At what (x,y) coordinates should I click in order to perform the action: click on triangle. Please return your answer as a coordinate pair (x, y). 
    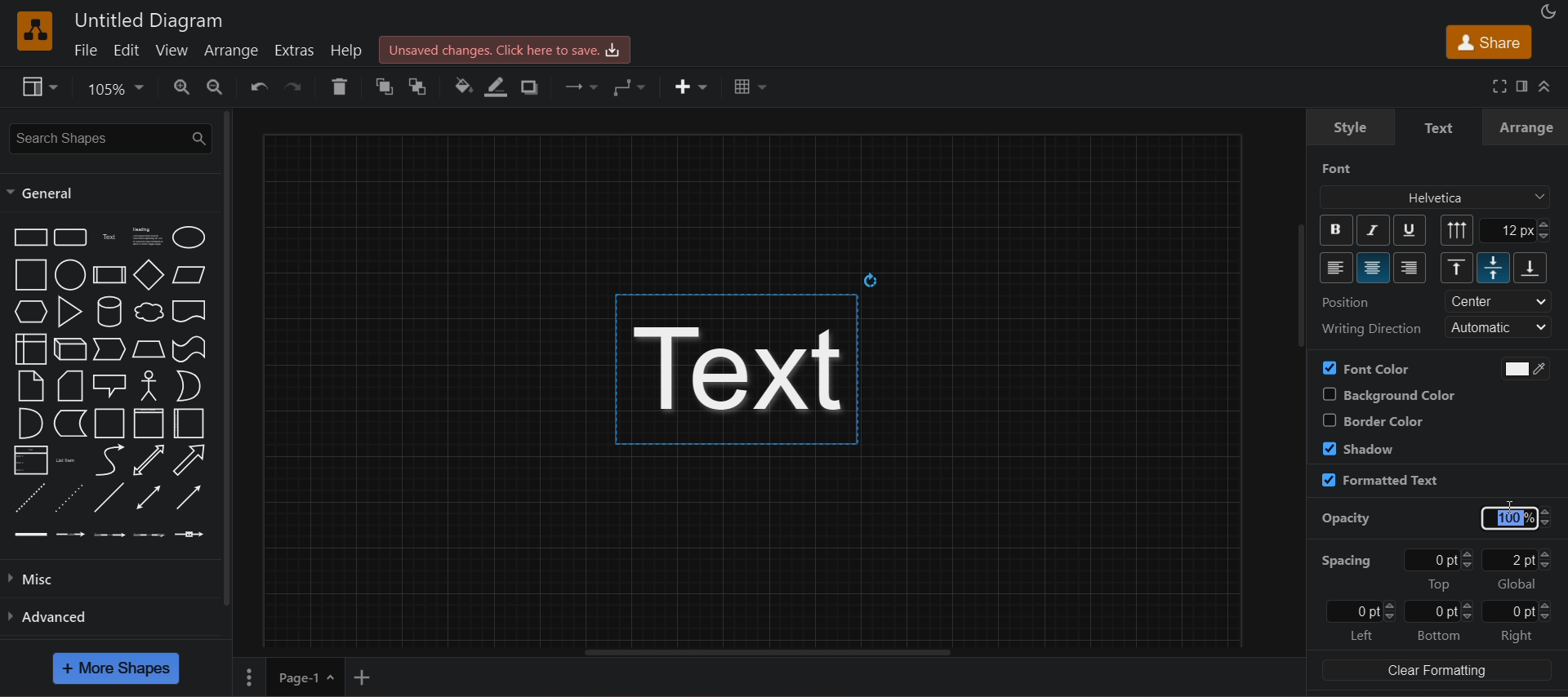
    Looking at the image, I should click on (70, 312).